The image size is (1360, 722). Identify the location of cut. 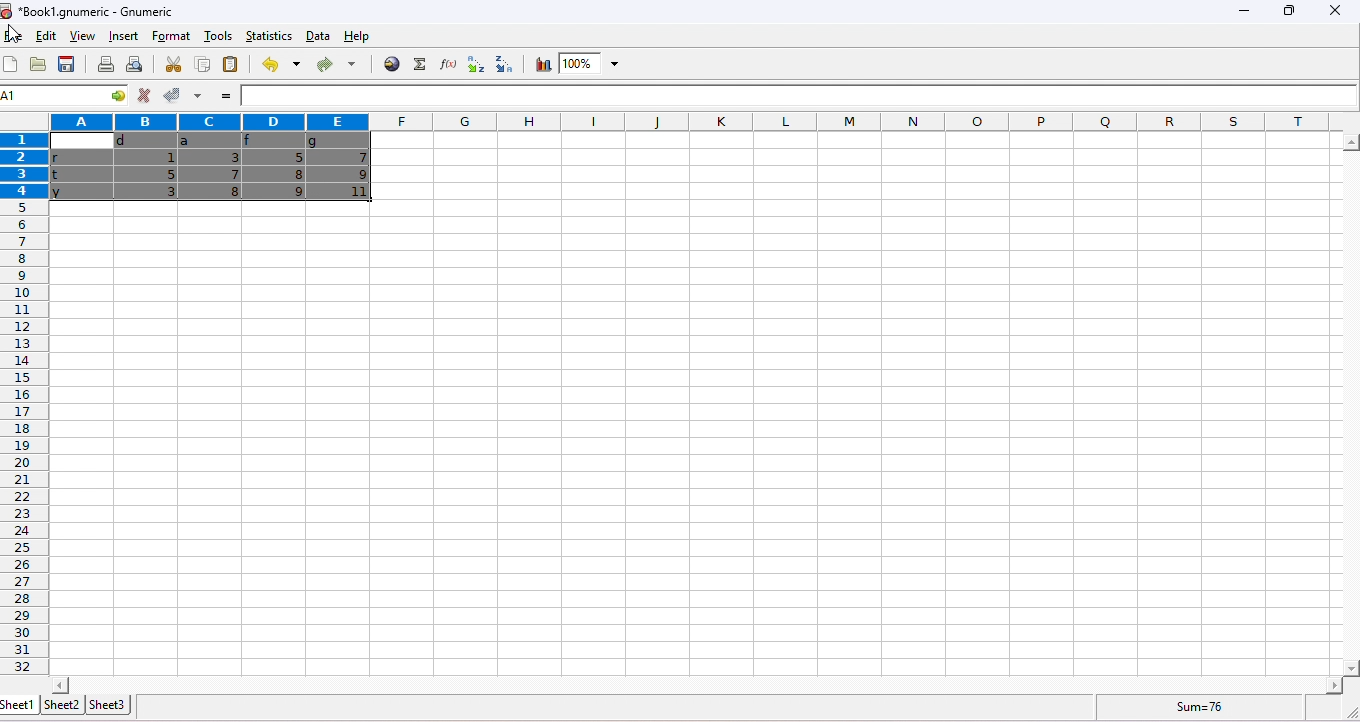
(174, 64).